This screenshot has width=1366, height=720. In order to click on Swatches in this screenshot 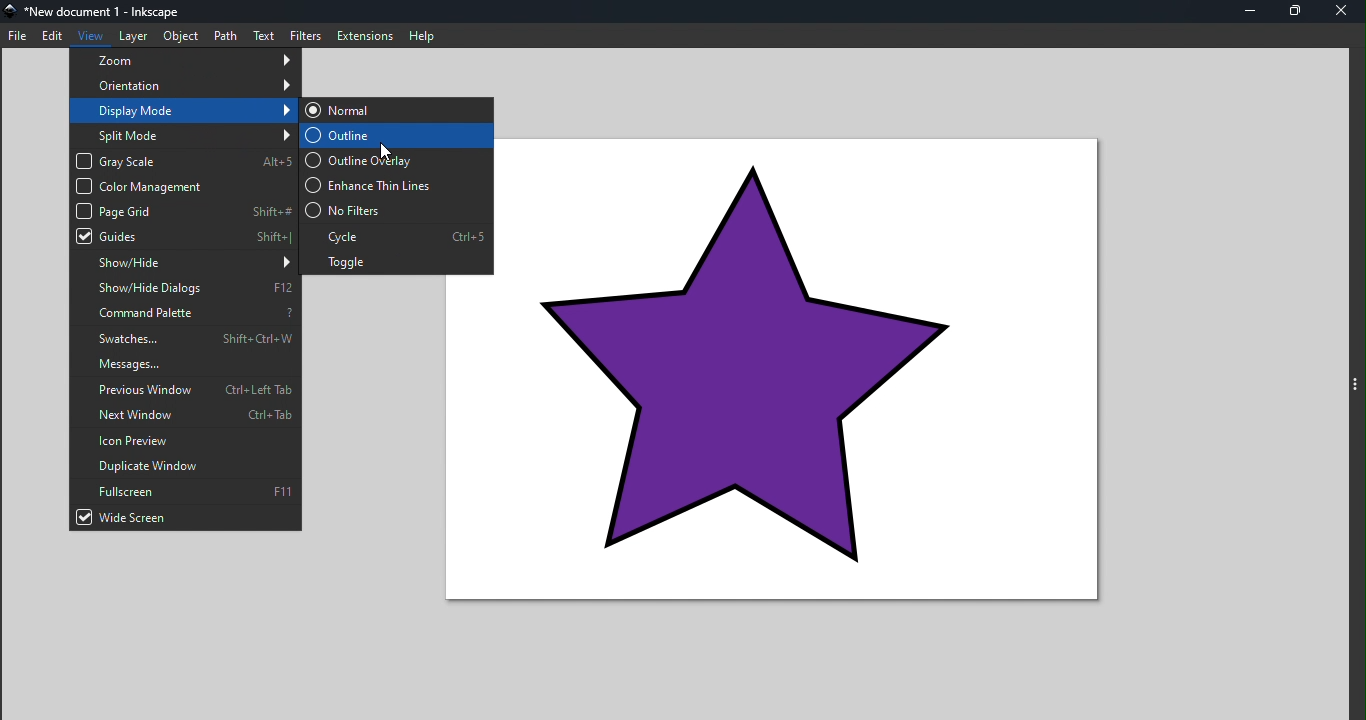, I will do `click(184, 340)`.